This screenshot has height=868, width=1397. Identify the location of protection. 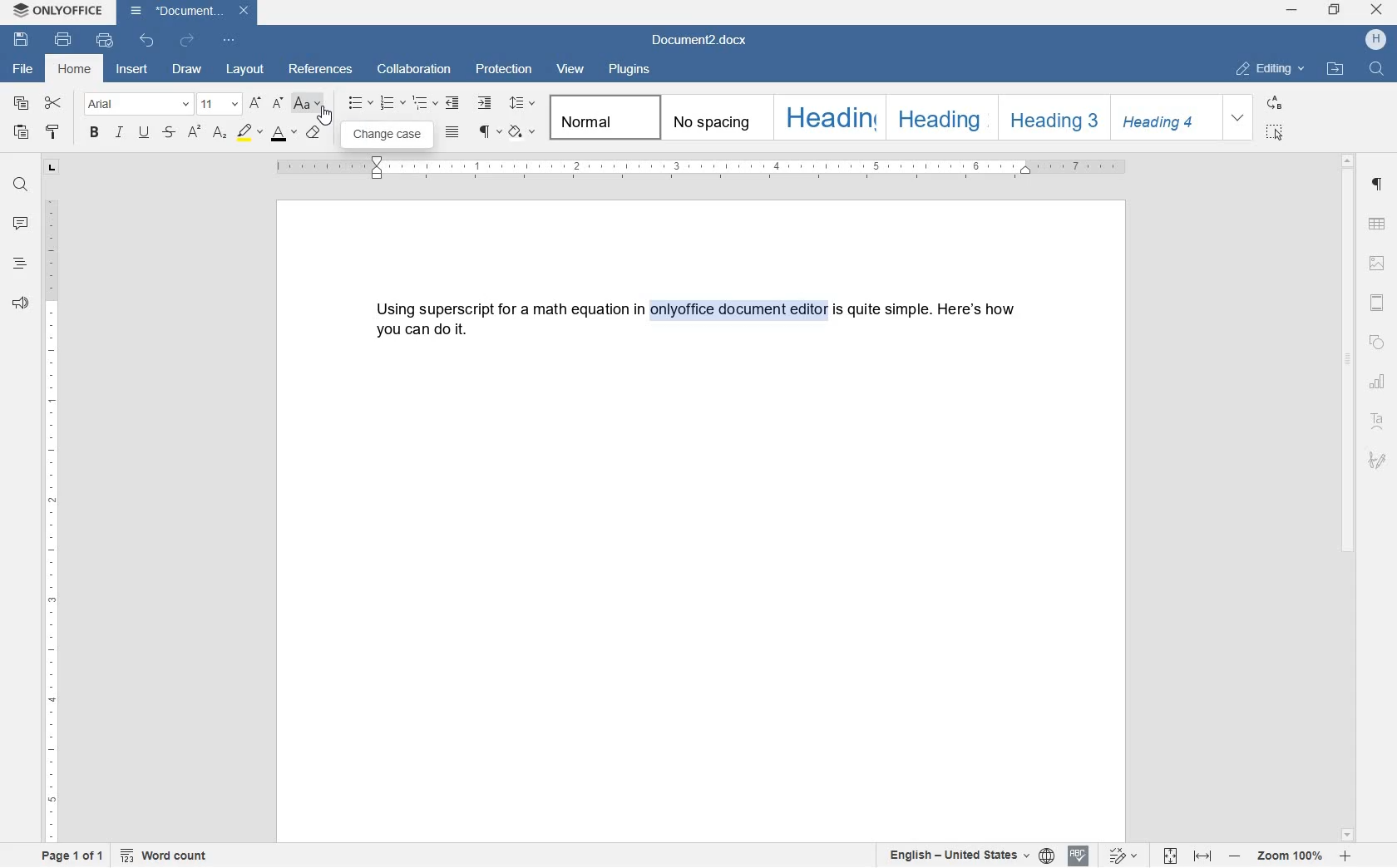
(506, 71).